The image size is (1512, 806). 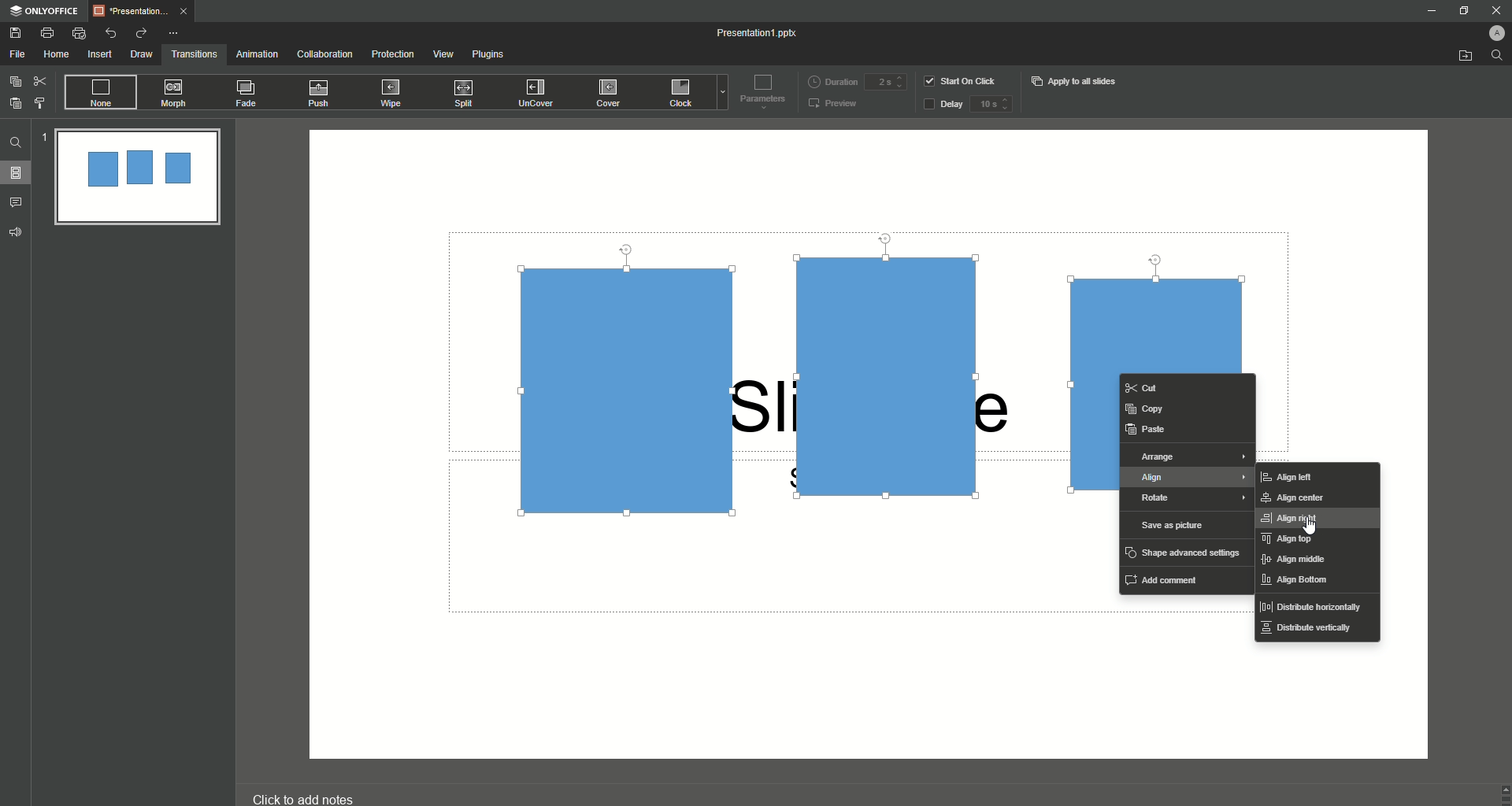 What do you see at coordinates (443, 54) in the screenshot?
I see `View` at bounding box center [443, 54].